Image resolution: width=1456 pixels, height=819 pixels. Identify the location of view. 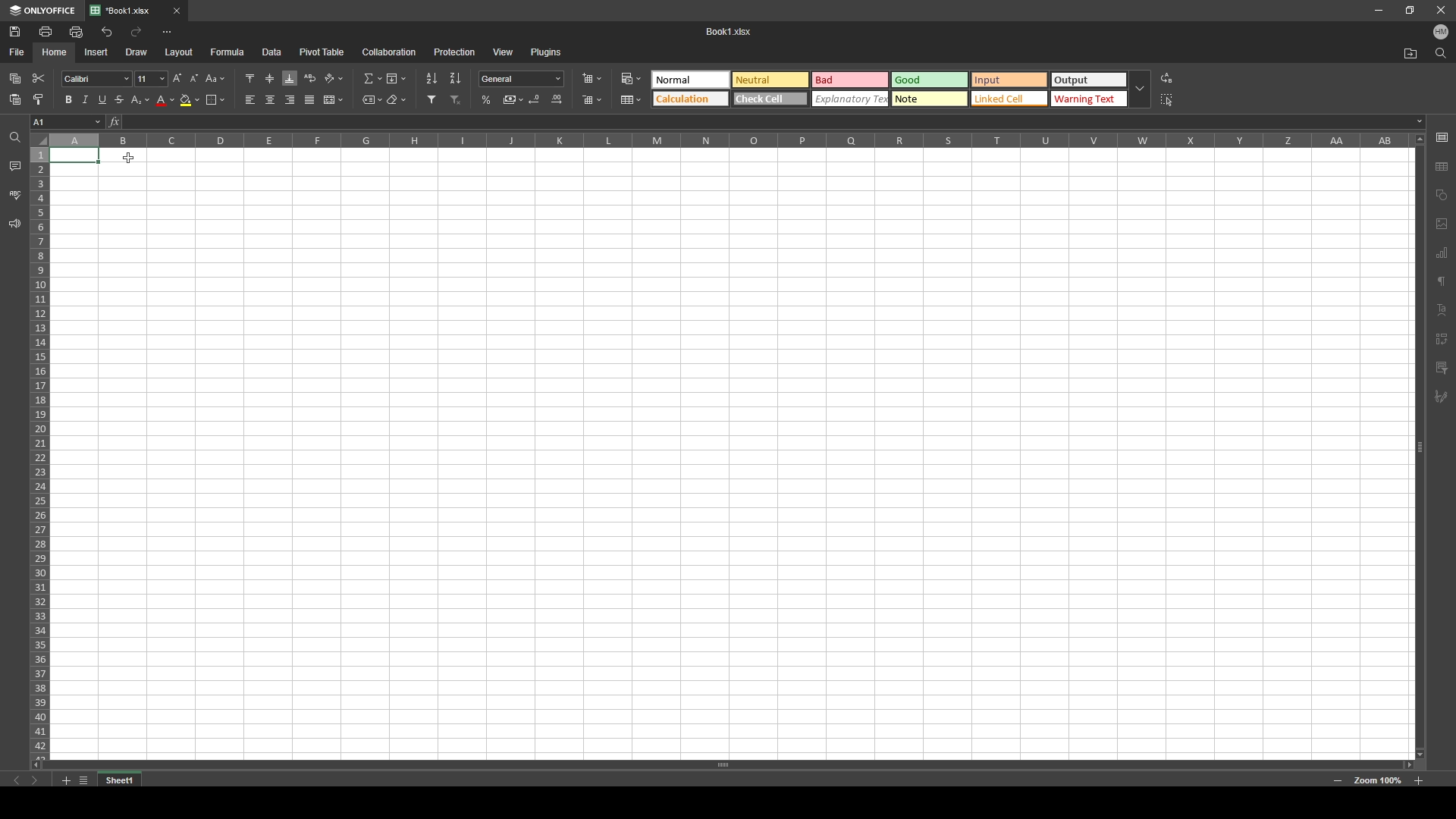
(503, 52).